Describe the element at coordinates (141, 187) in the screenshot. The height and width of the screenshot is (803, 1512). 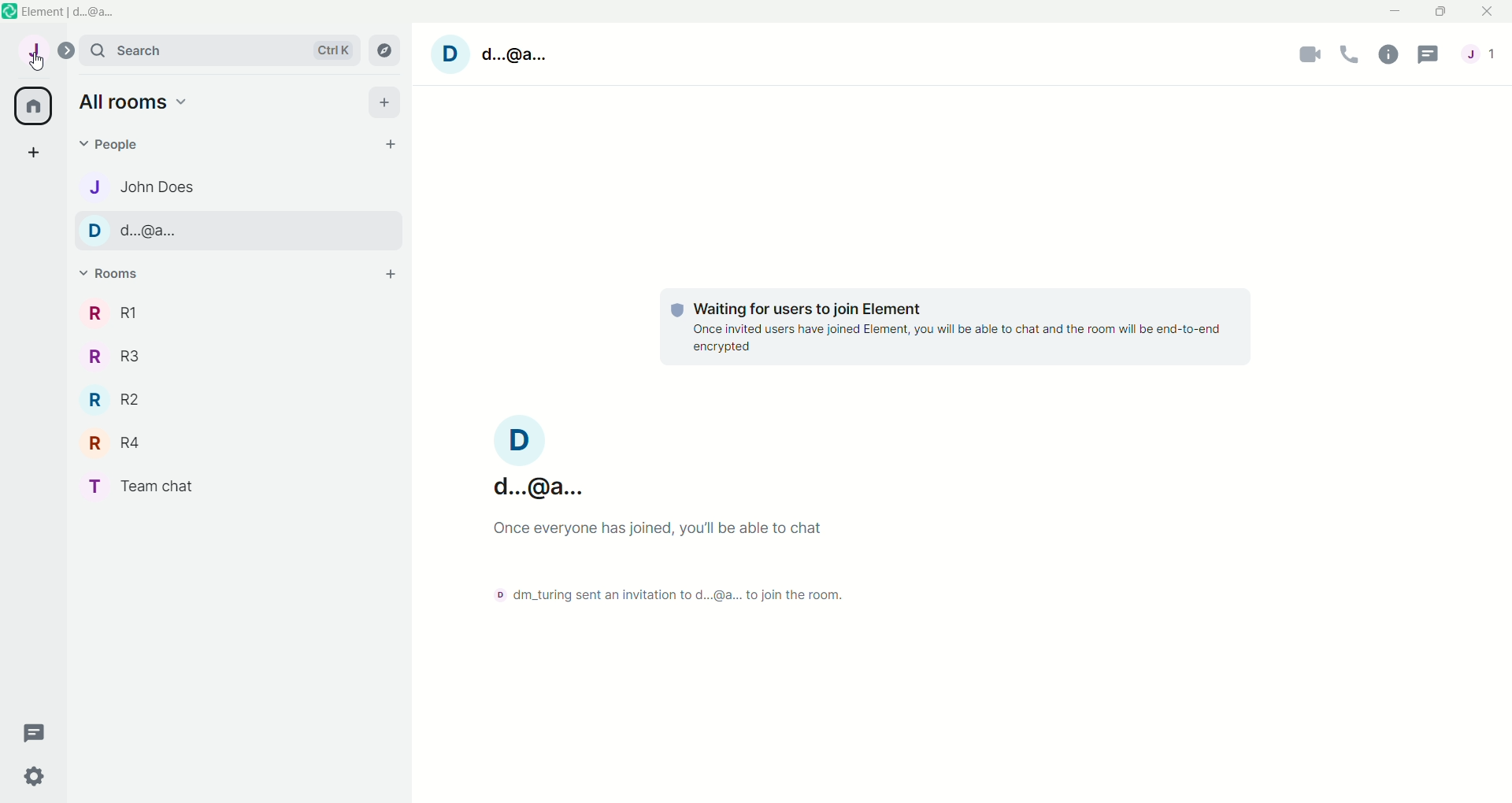
I see `J John Does` at that location.